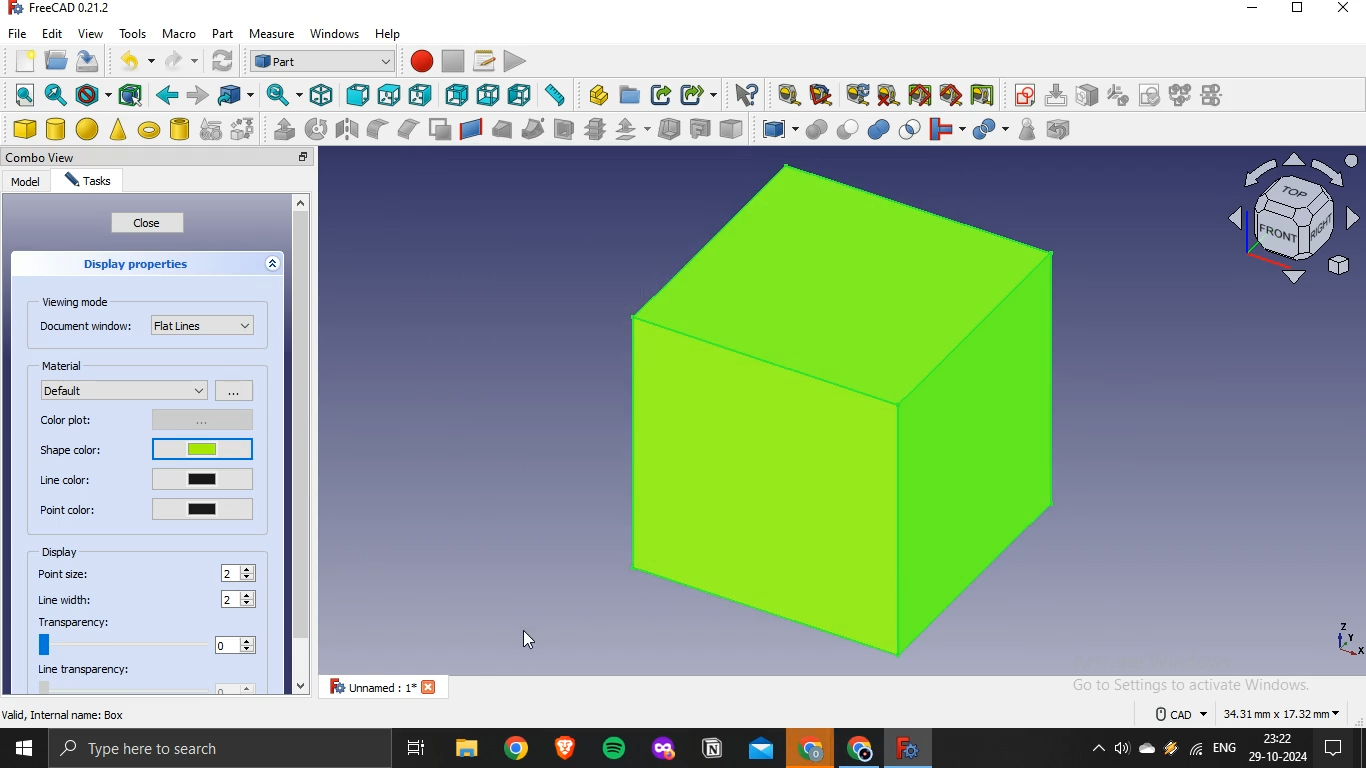  I want to click on 2, so click(241, 573).